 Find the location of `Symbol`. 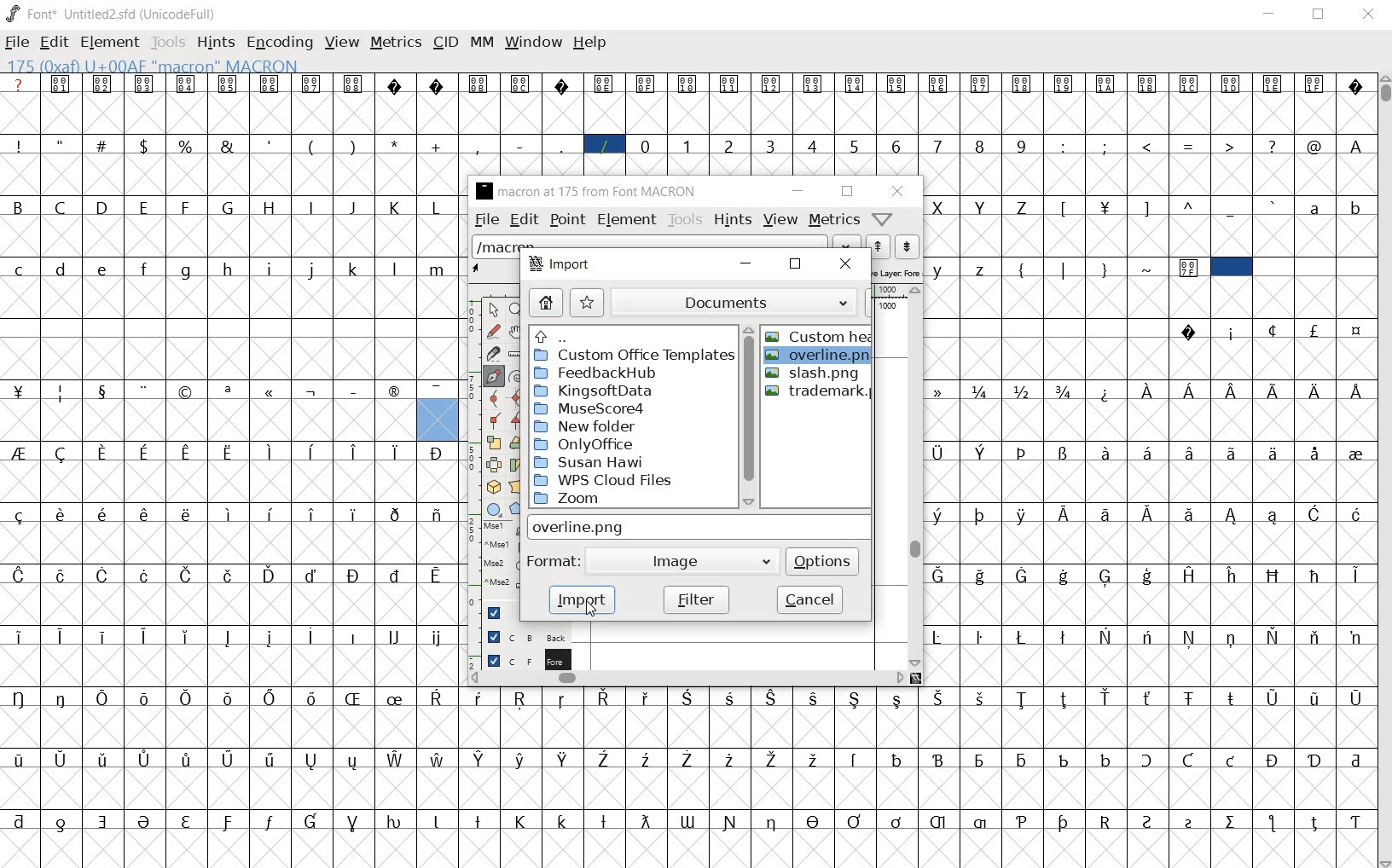

Symbol is located at coordinates (1230, 698).